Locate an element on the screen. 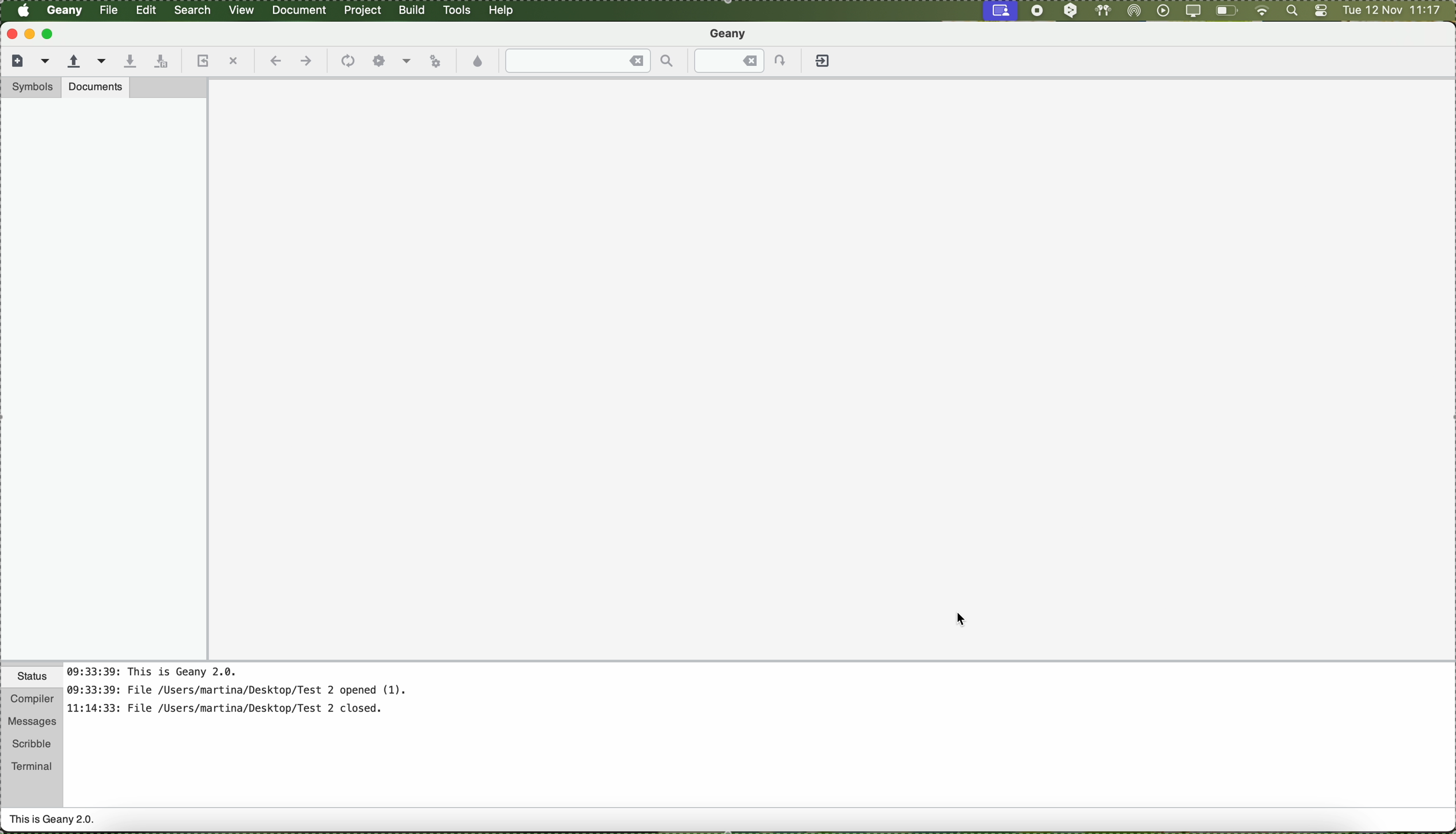  save all open files is located at coordinates (159, 62).